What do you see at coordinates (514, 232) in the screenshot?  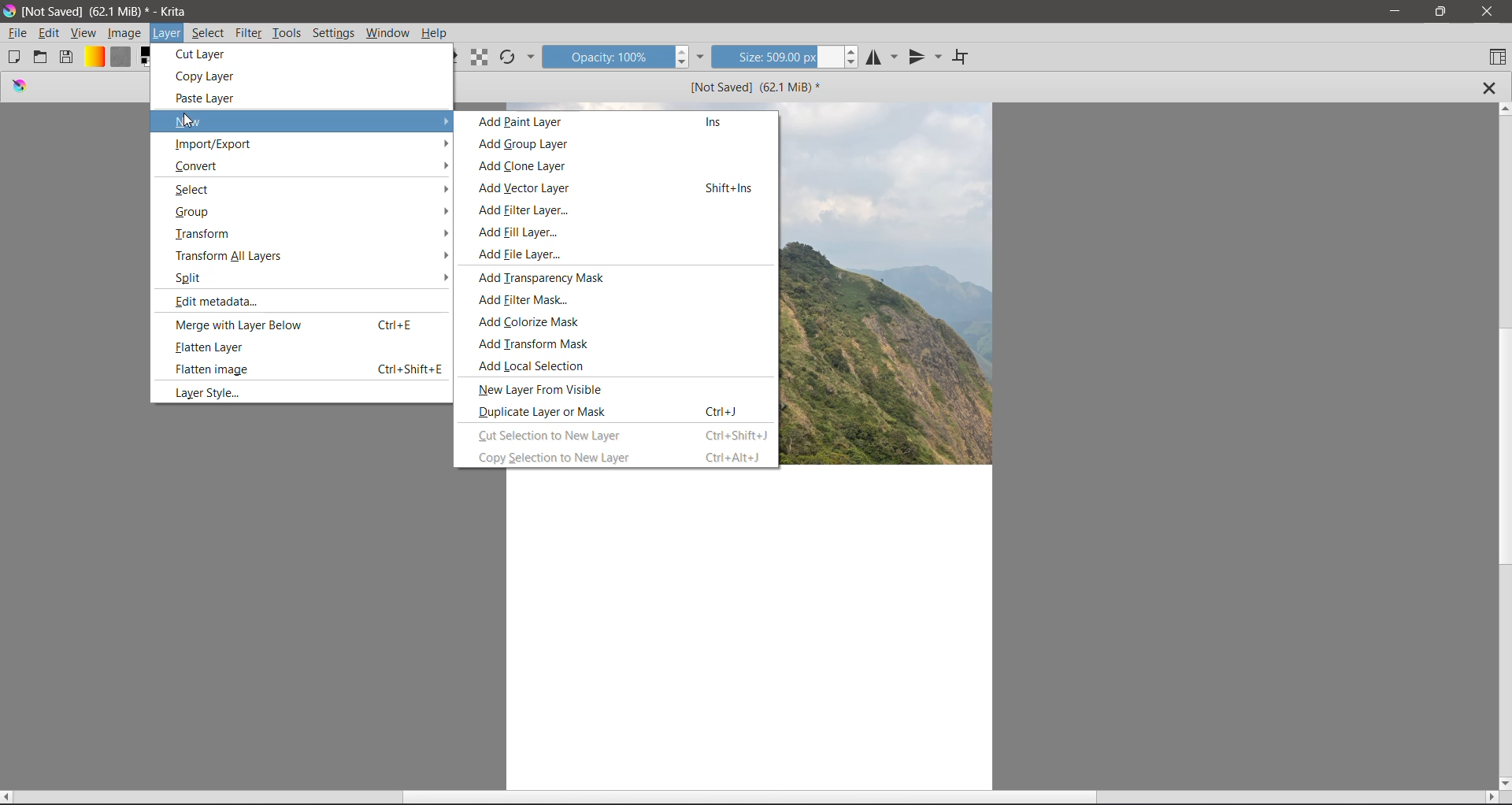 I see `Add Fil Layer` at bounding box center [514, 232].